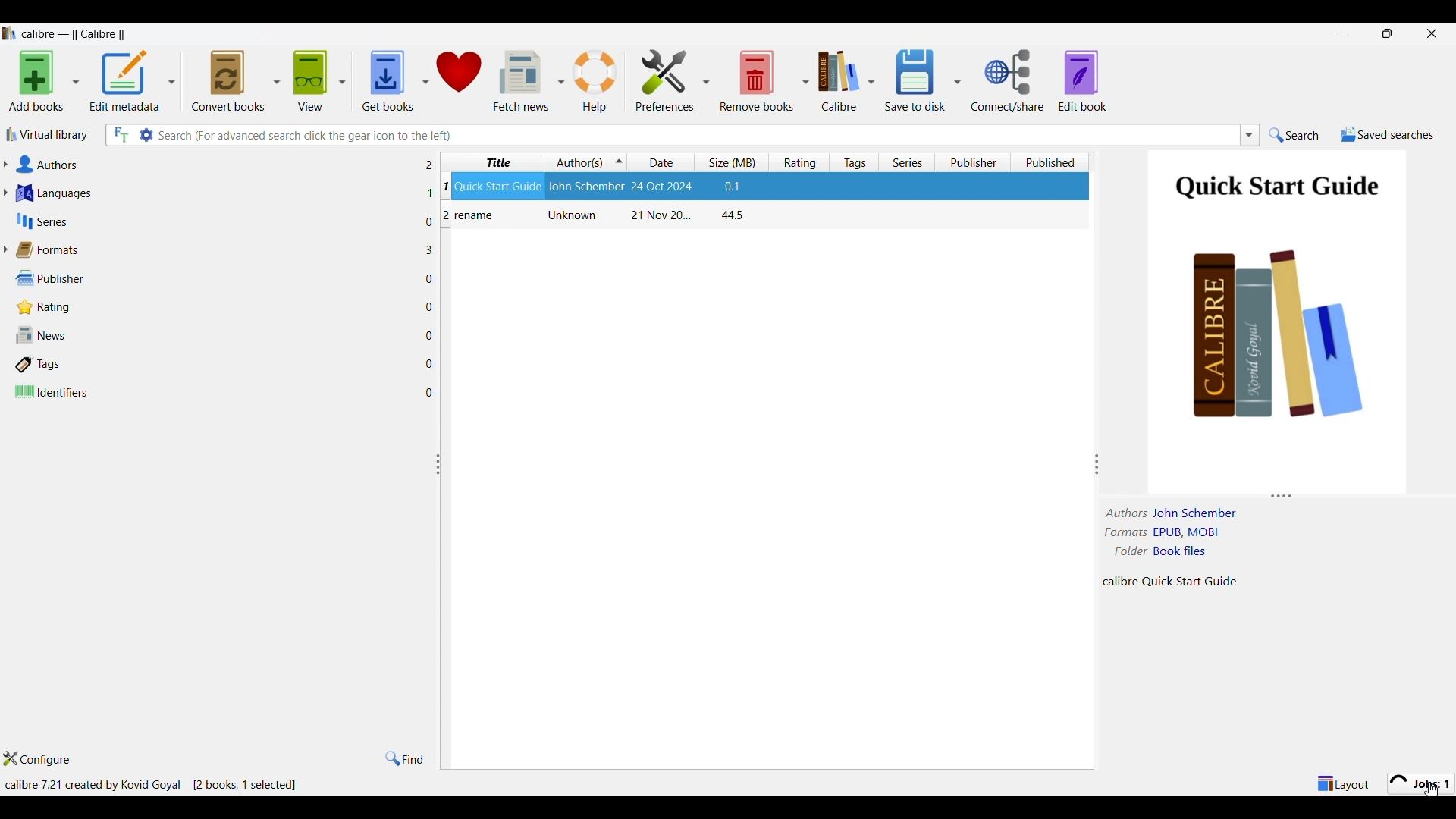 This screenshot has height=819, width=1456. Describe the element at coordinates (171, 81) in the screenshot. I see `Edit metadata options` at that location.